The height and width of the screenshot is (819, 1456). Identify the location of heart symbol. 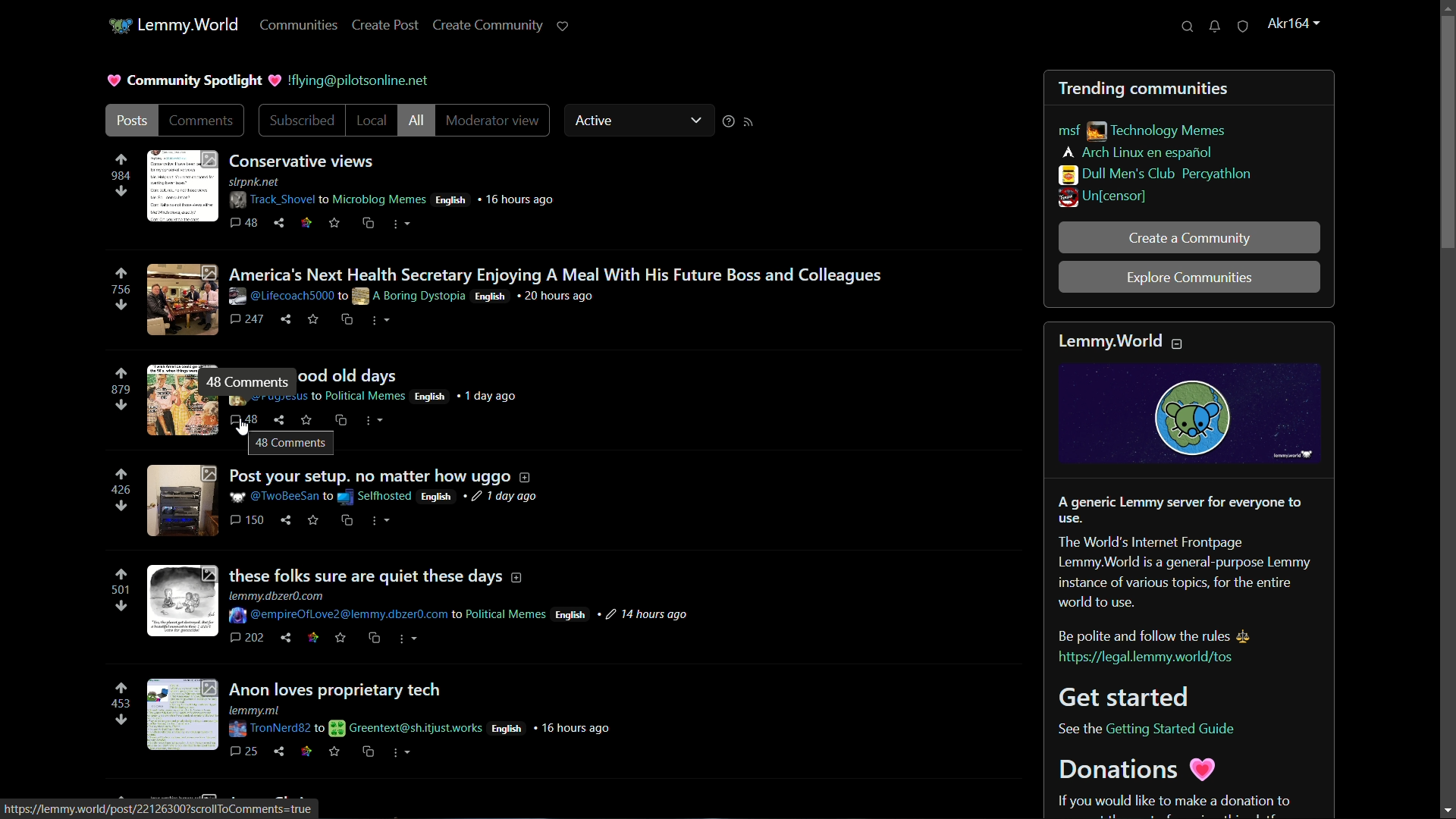
(275, 80).